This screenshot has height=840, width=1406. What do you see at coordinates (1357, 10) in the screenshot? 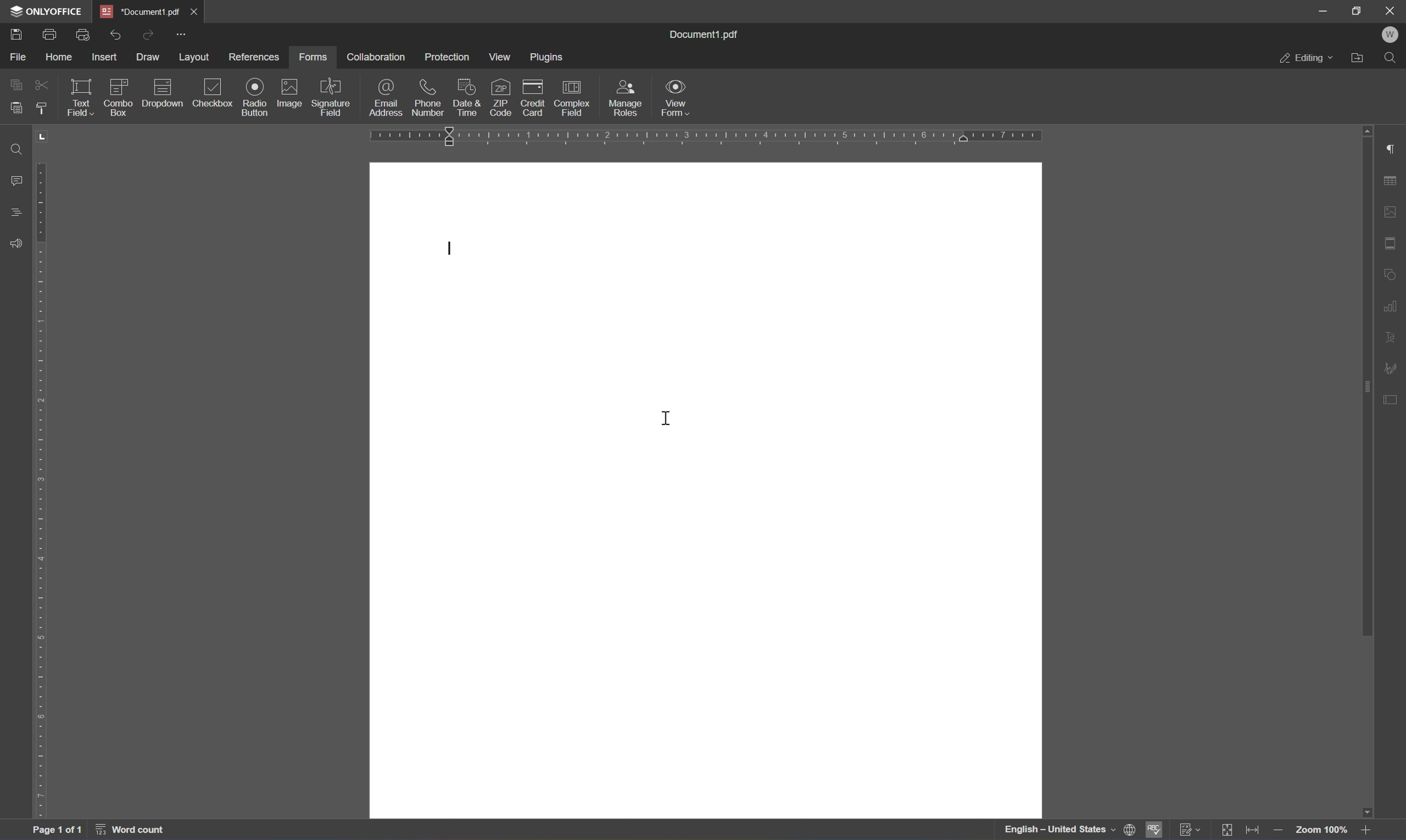
I see `restore down` at bounding box center [1357, 10].